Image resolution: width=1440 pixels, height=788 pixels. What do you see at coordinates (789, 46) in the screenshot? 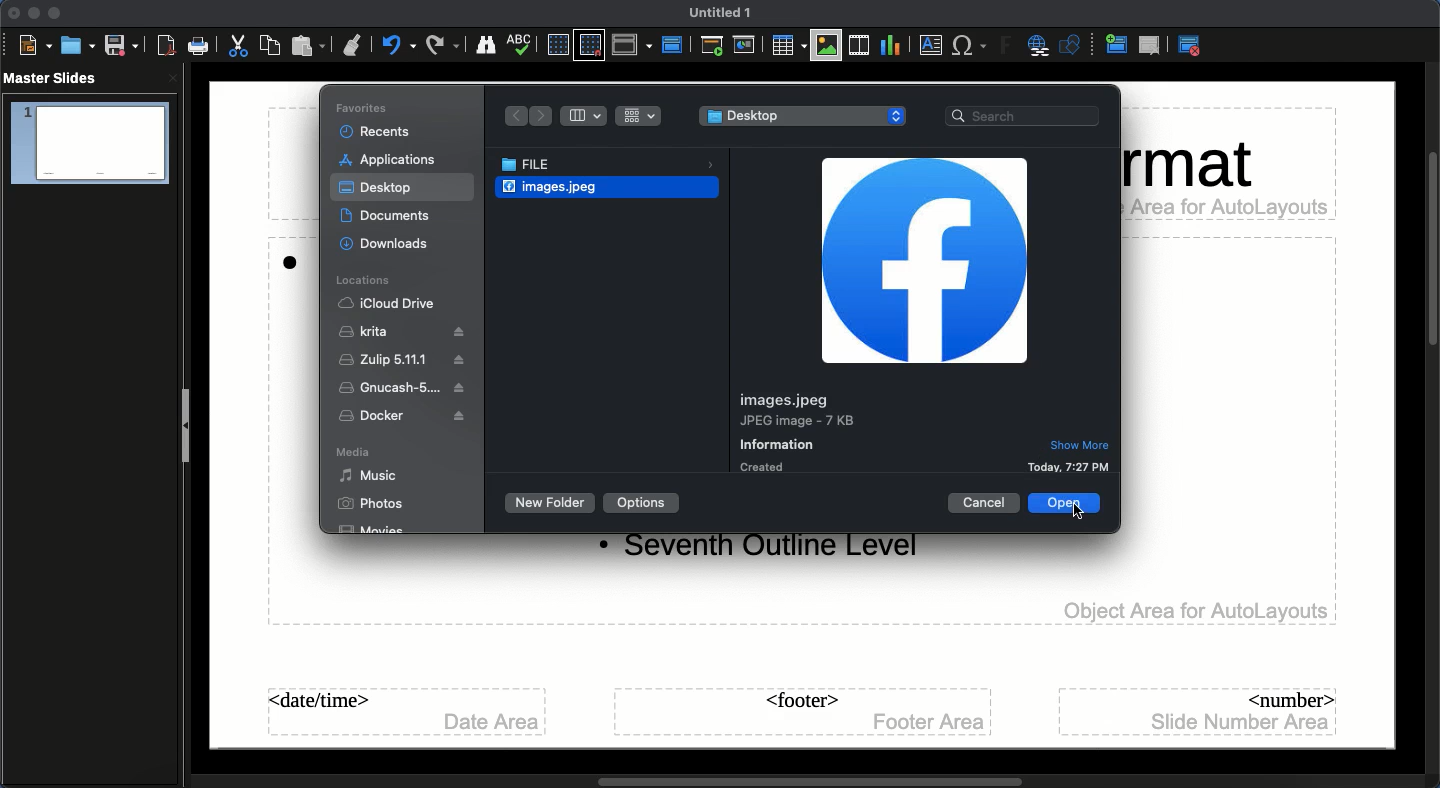
I see `Table` at bounding box center [789, 46].